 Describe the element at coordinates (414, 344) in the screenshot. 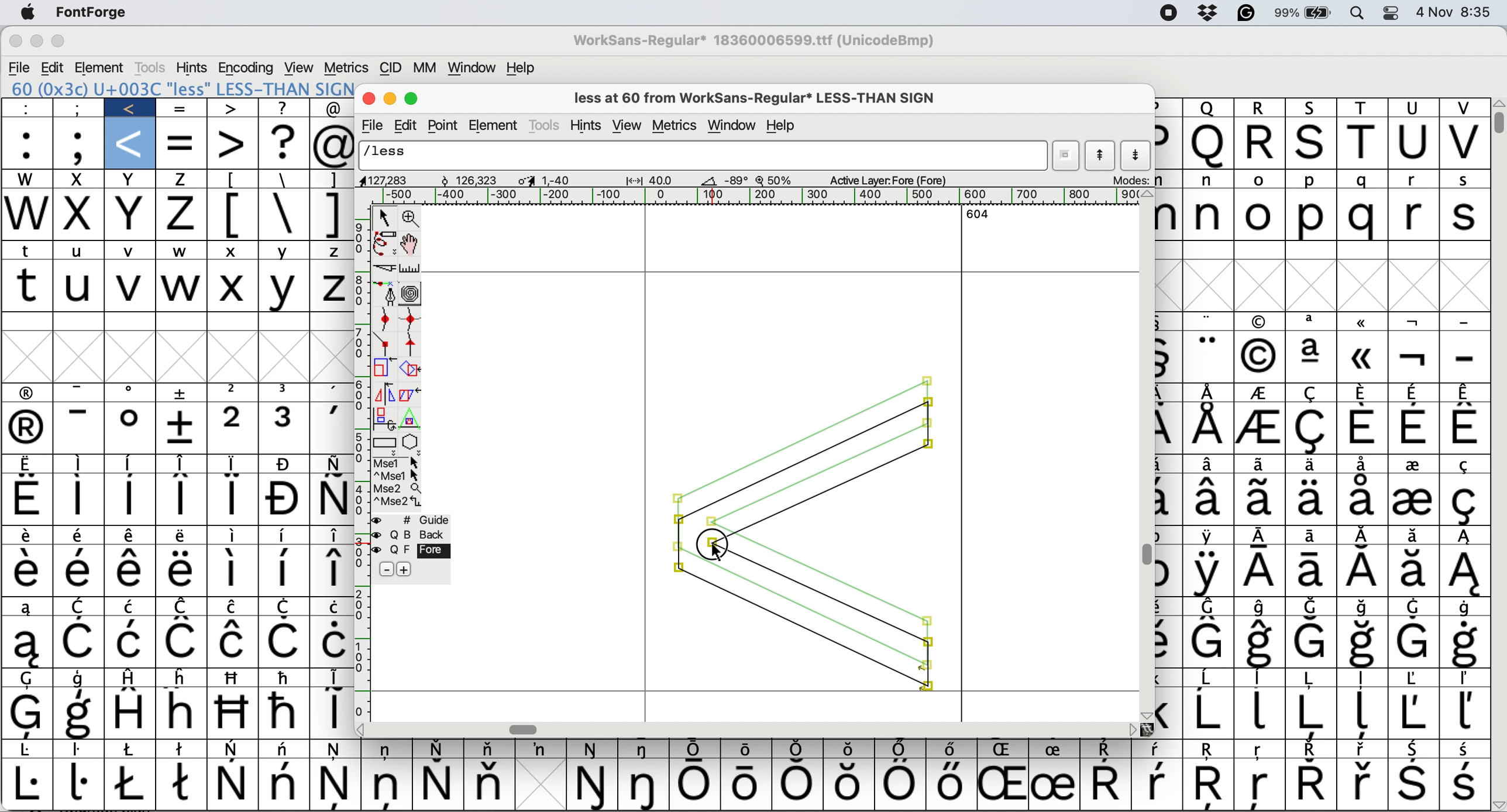

I see `tangent point` at that location.